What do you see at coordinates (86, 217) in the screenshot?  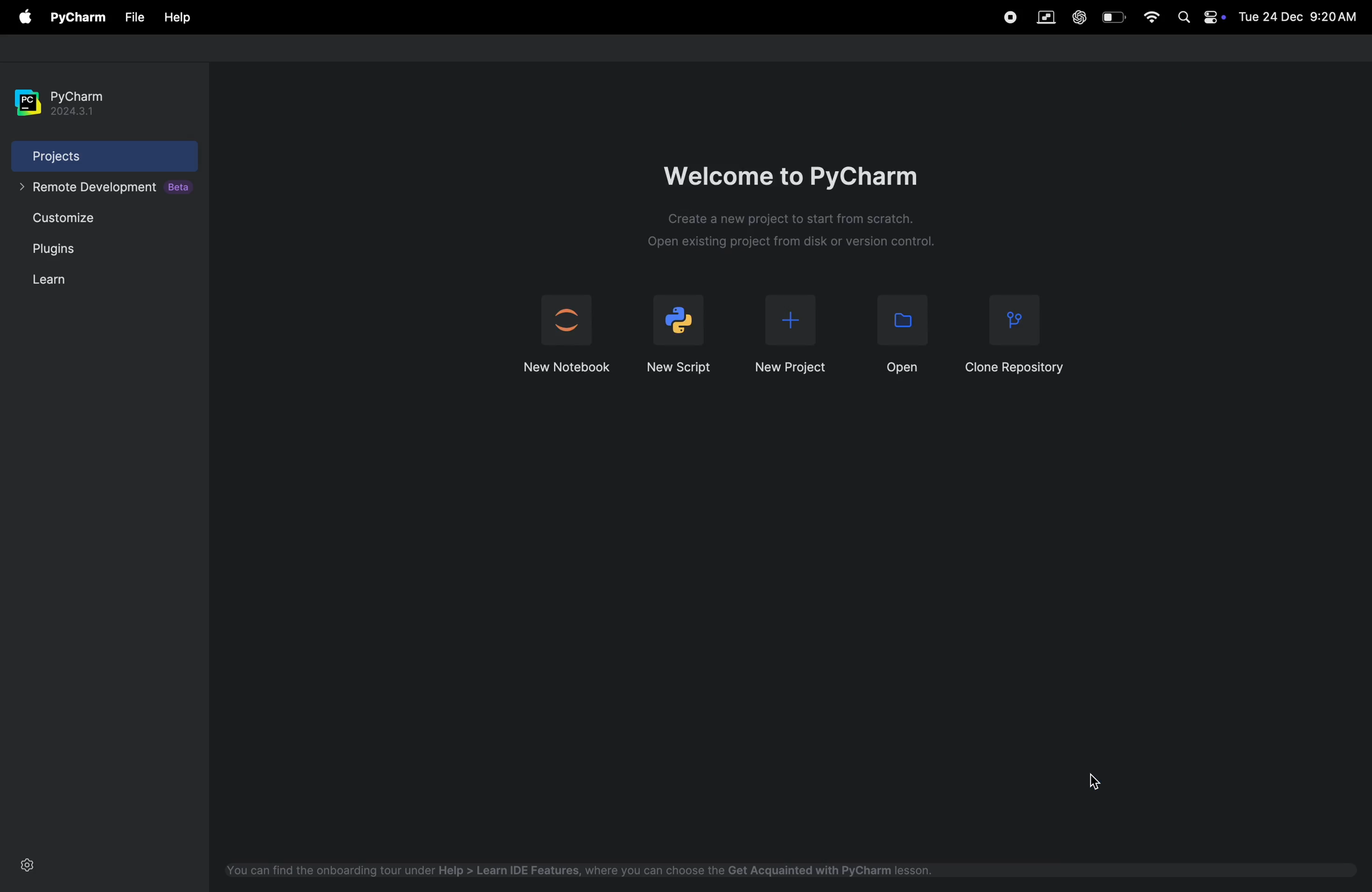 I see `customize` at bounding box center [86, 217].